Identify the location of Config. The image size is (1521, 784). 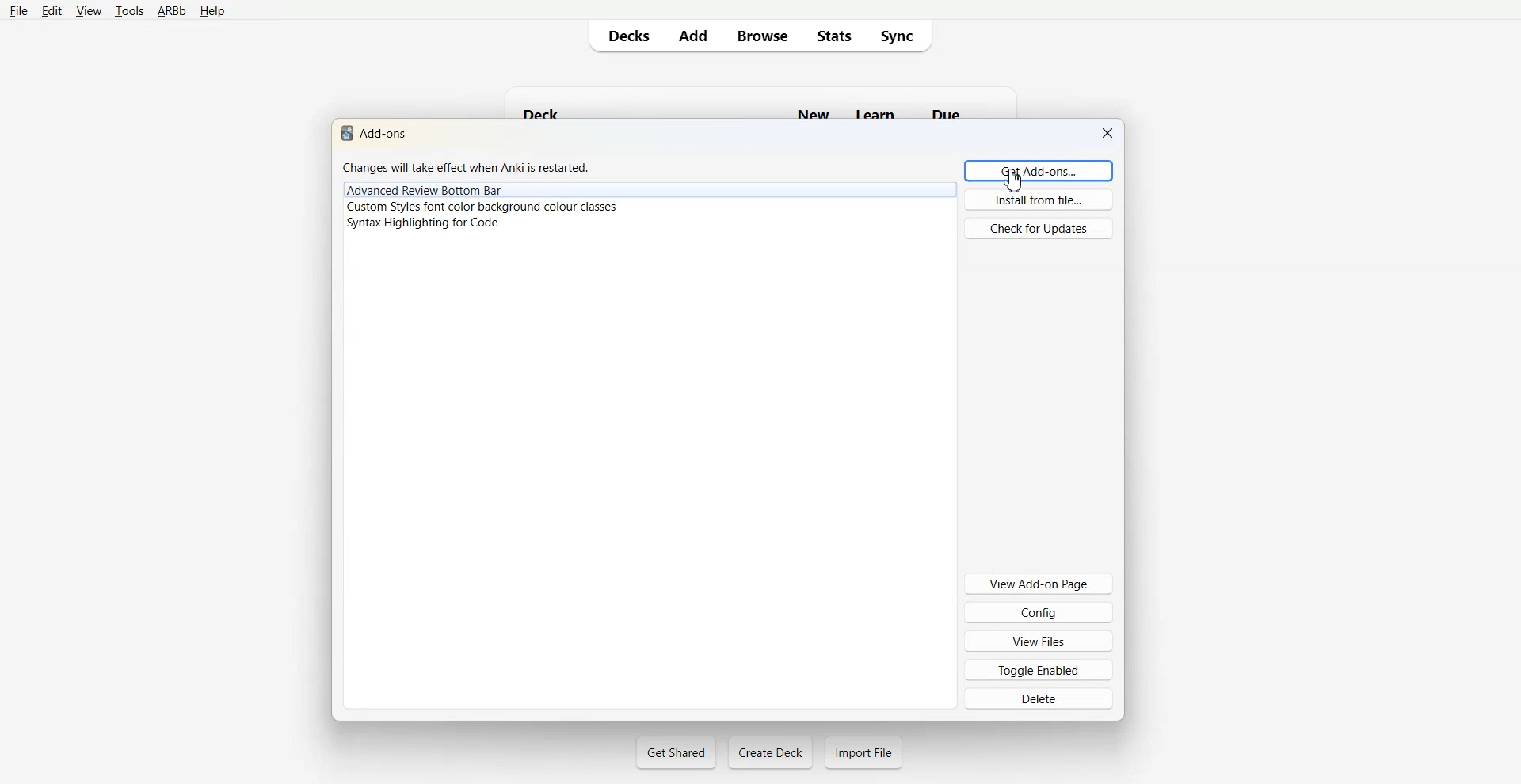
(1040, 611).